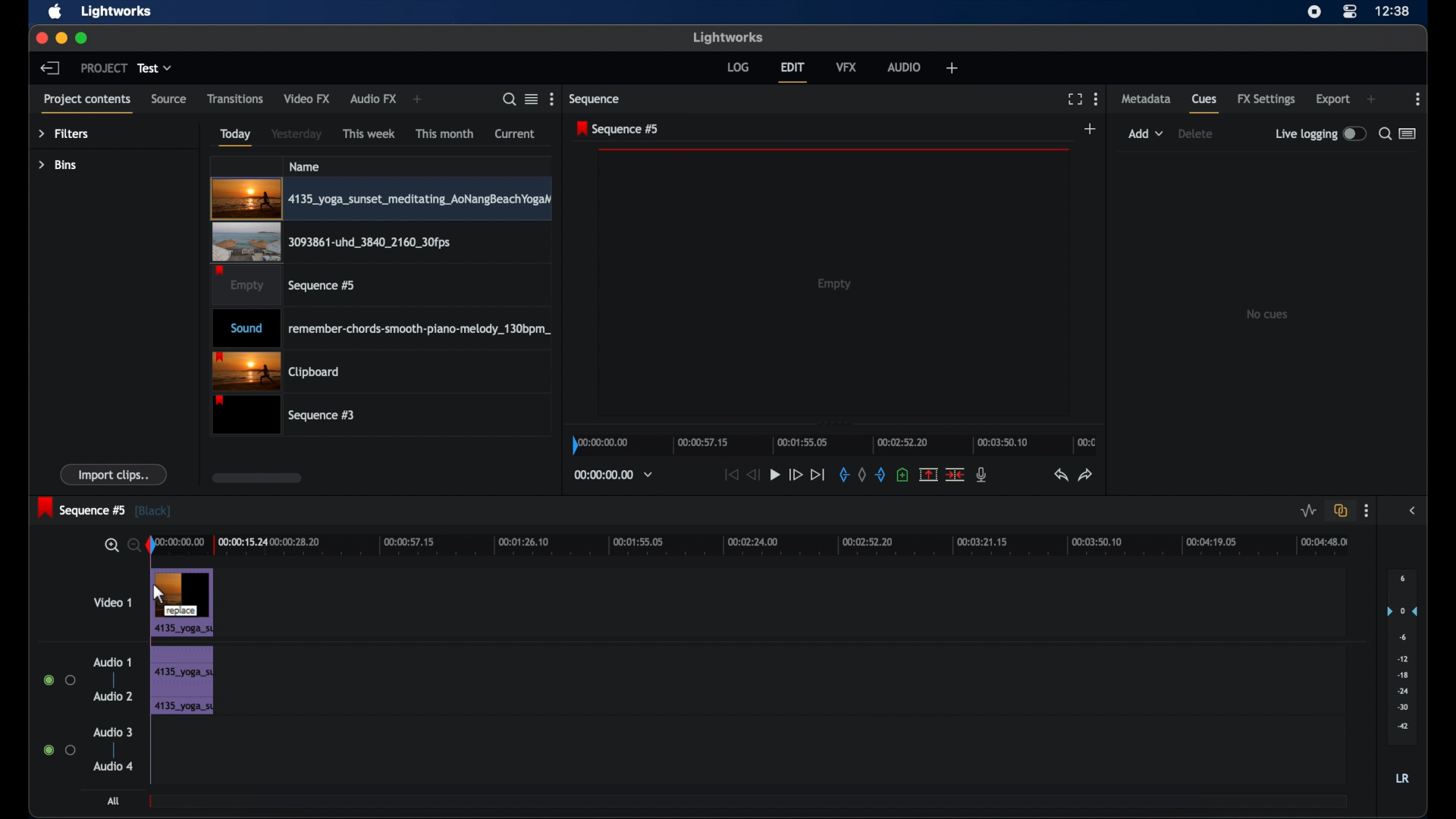  Describe the element at coordinates (111, 663) in the screenshot. I see `audio 1` at that location.